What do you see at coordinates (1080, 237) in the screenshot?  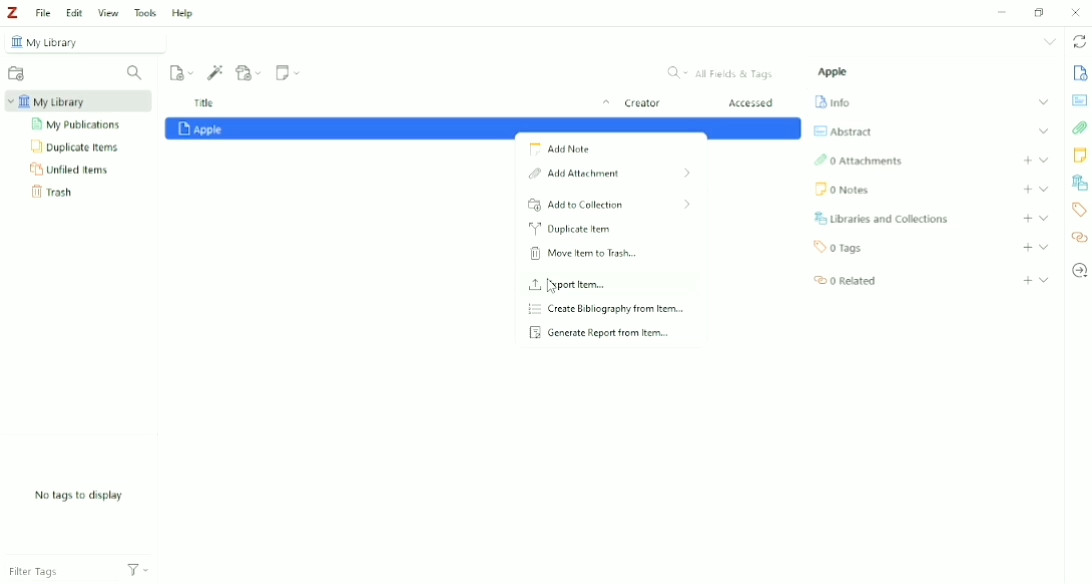 I see `Related` at bounding box center [1080, 237].